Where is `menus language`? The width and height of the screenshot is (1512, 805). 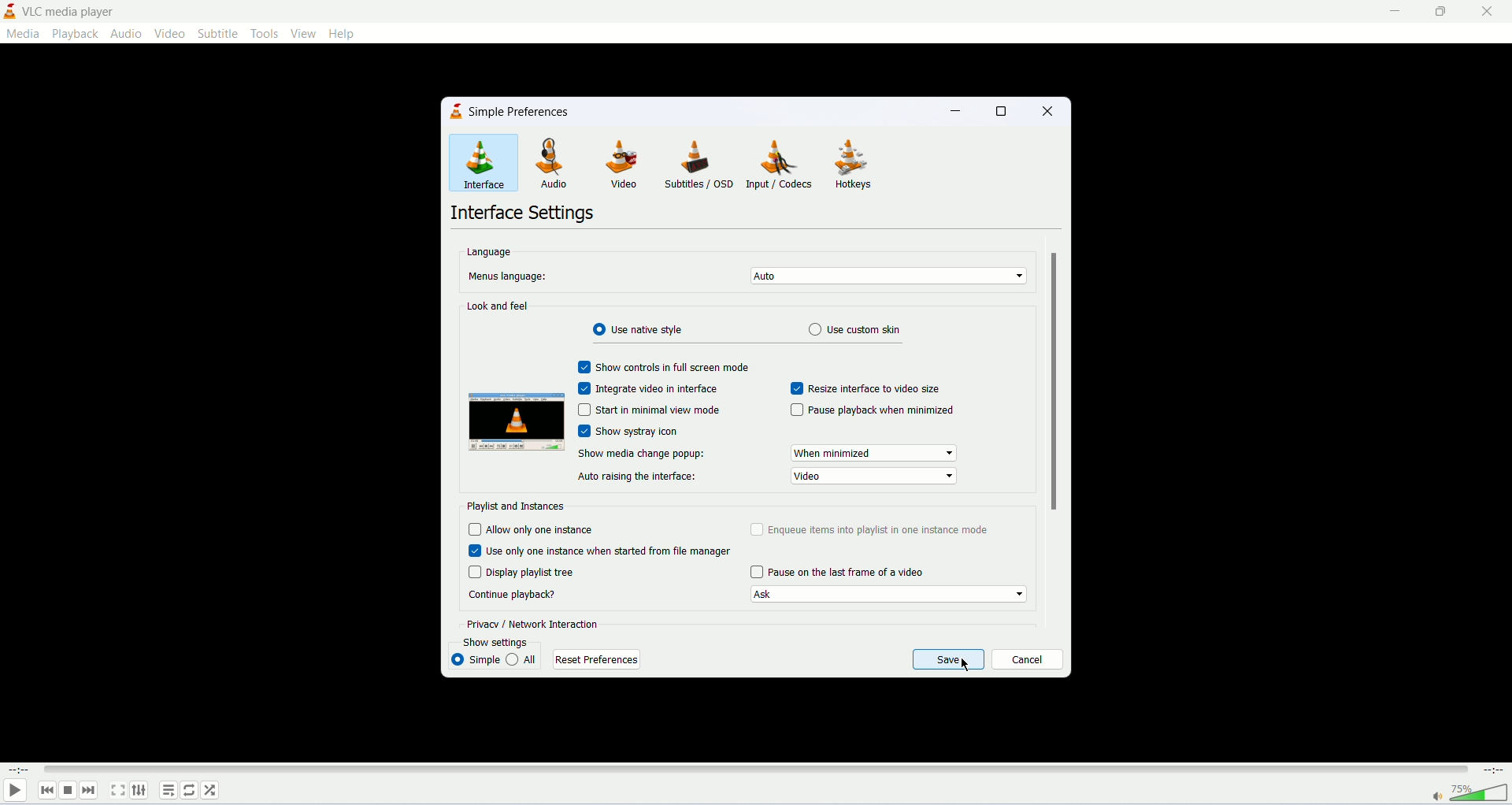 menus language is located at coordinates (510, 276).